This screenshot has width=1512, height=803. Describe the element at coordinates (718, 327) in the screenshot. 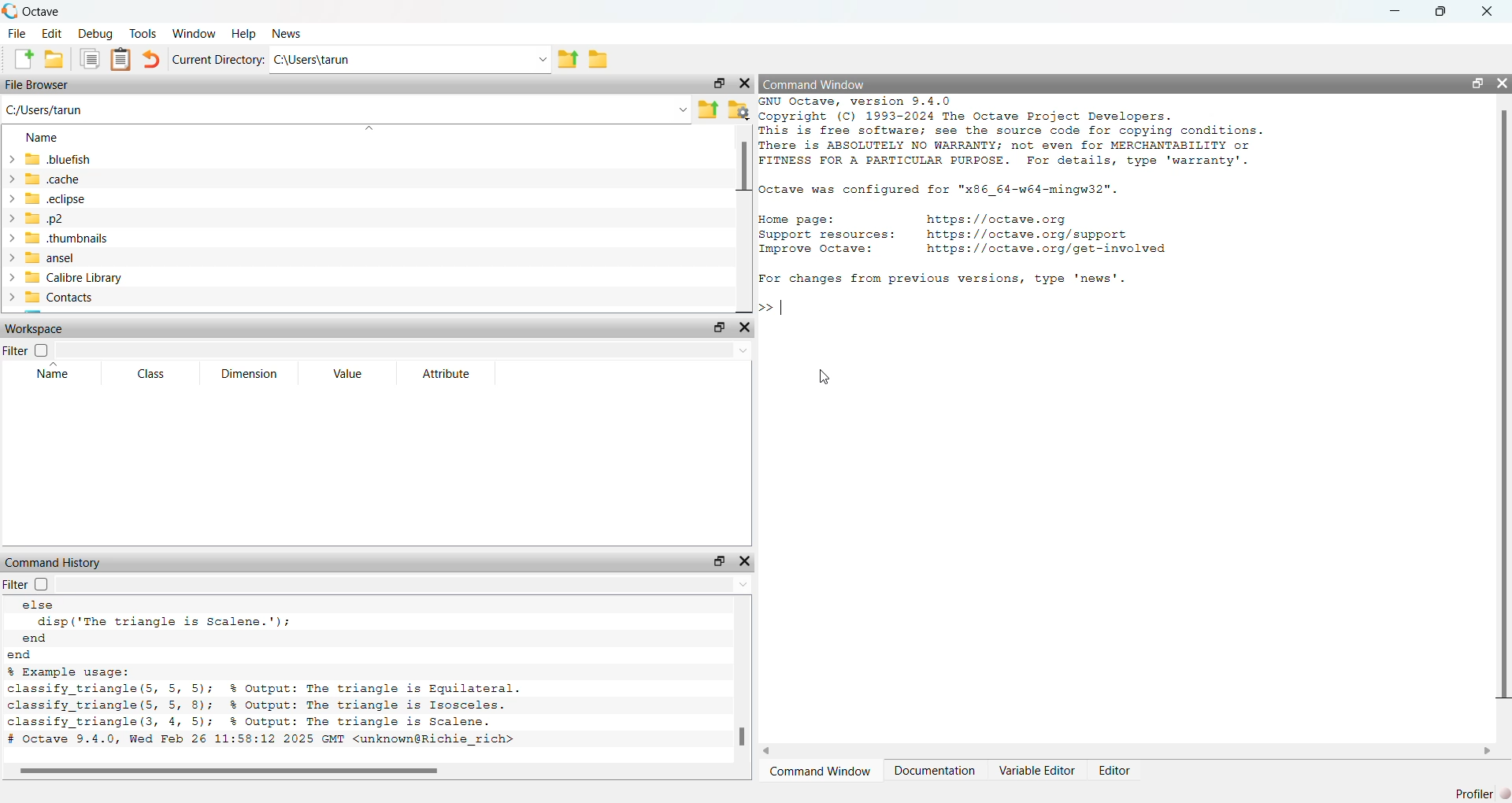

I see `unlock widget` at that location.